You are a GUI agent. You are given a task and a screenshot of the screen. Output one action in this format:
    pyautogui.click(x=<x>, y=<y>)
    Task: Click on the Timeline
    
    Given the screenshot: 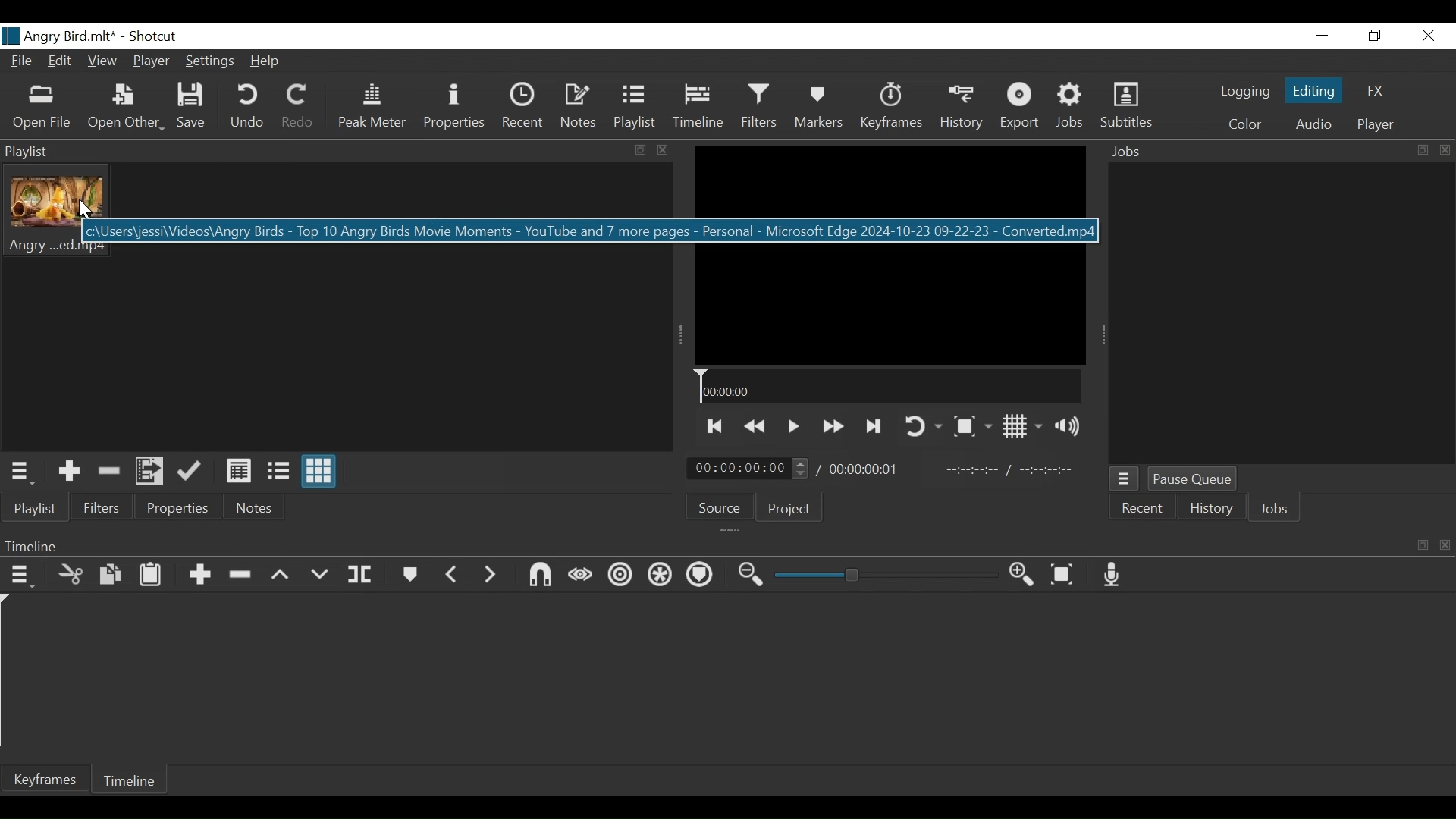 What is the action you would take?
    pyautogui.click(x=889, y=386)
    